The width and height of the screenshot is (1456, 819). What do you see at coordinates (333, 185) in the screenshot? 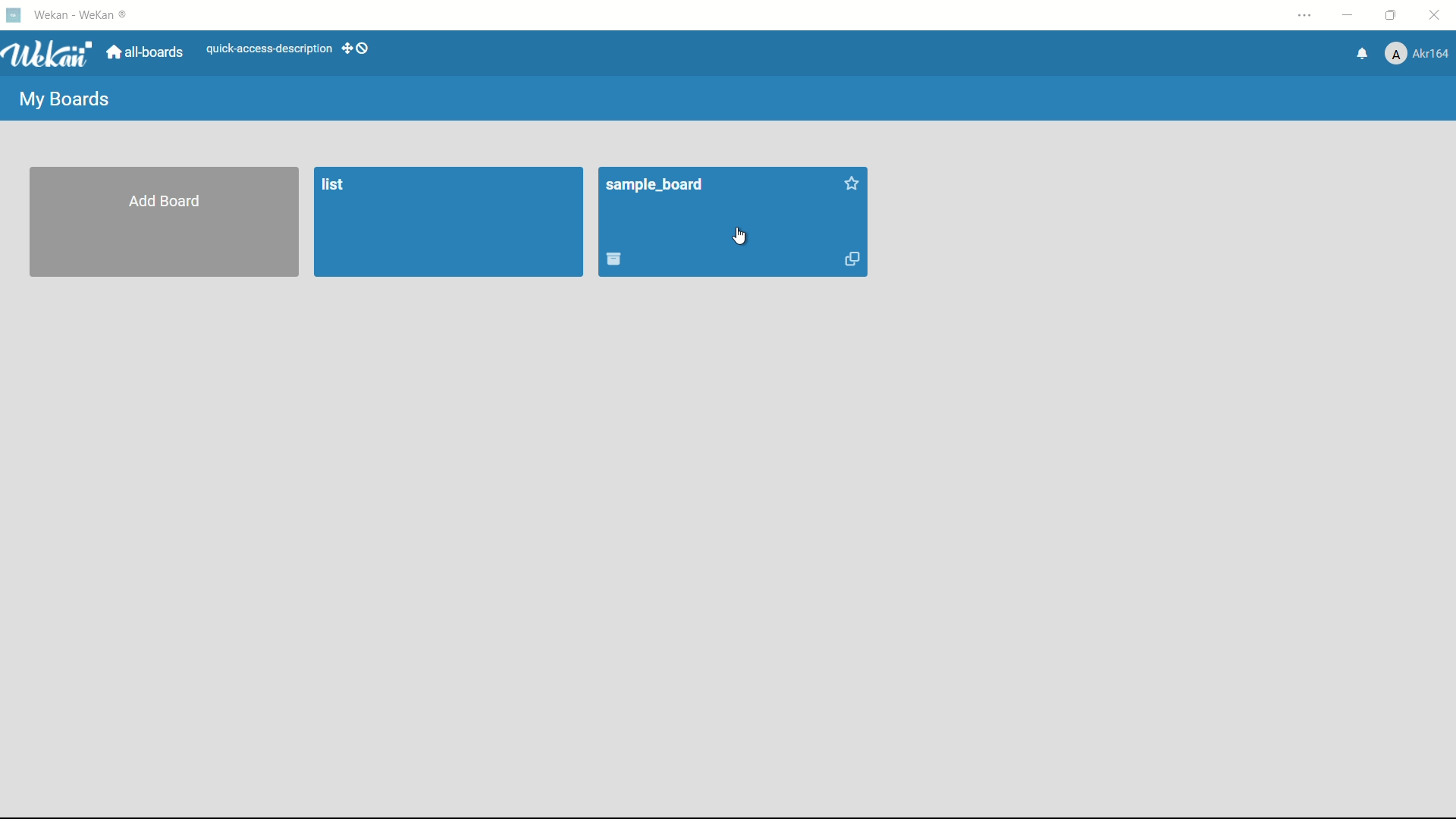
I see `board` at bounding box center [333, 185].